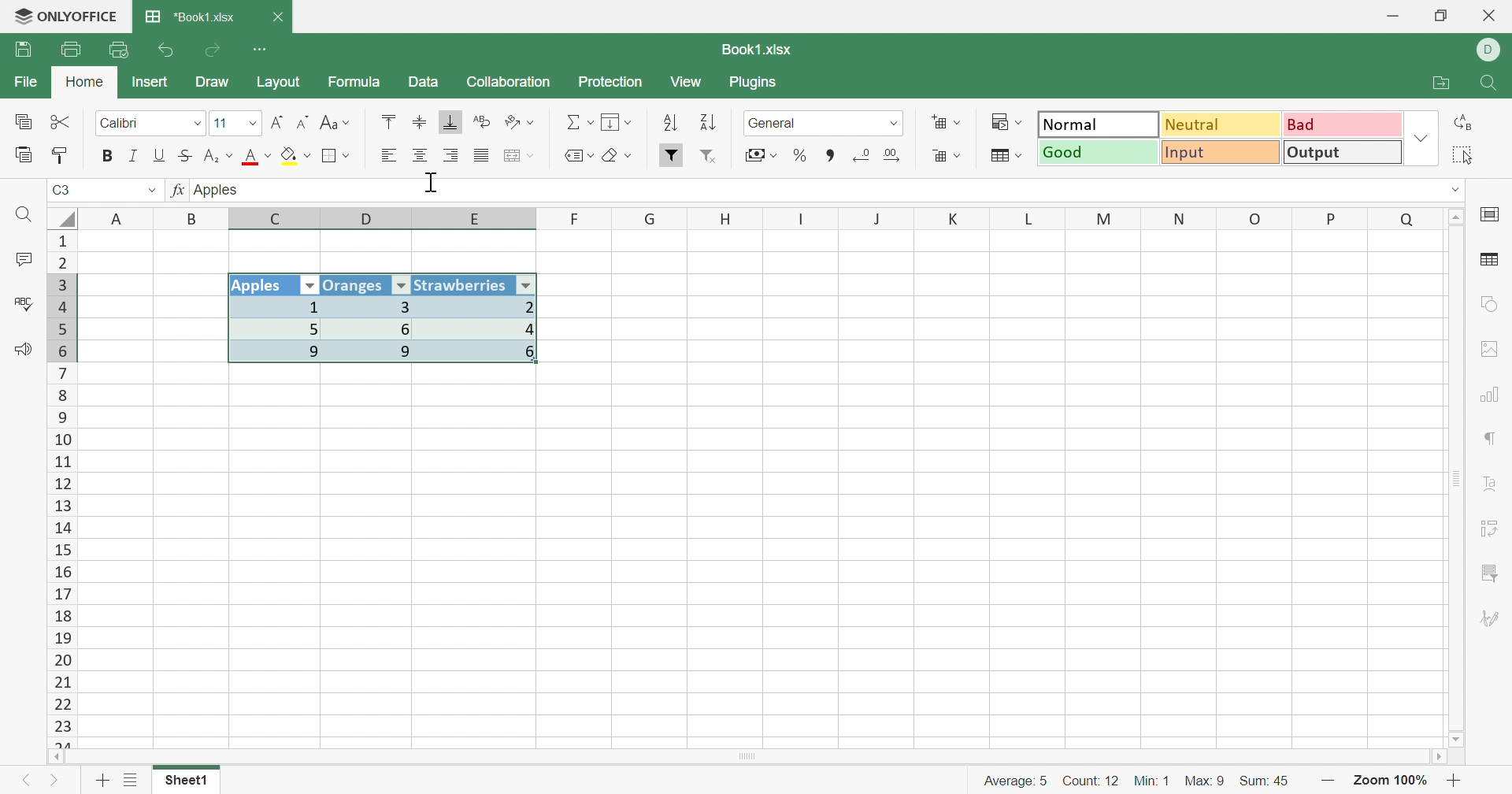 This screenshot has width=1512, height=794. I want to click on Cut, so click(61, 121).